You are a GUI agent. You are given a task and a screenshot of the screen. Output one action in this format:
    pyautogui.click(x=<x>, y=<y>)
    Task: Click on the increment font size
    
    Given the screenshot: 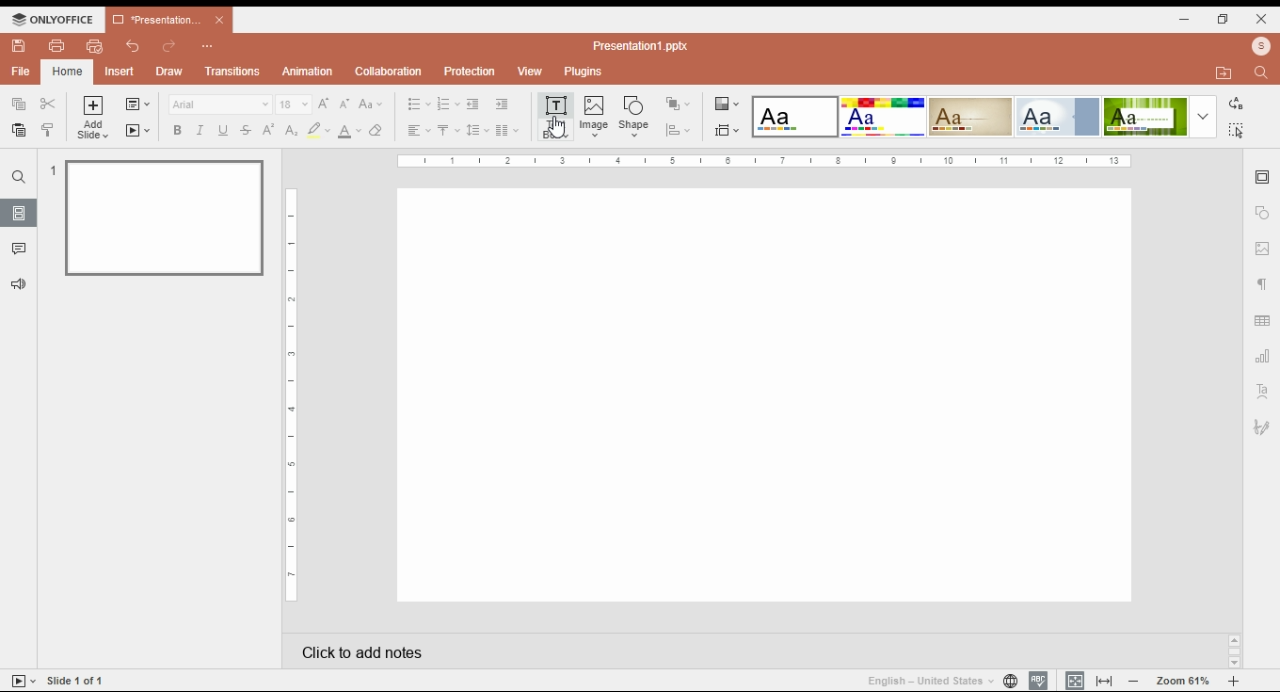 What is the action you would take?
    pyautogui.click(x=325, y=102)
    